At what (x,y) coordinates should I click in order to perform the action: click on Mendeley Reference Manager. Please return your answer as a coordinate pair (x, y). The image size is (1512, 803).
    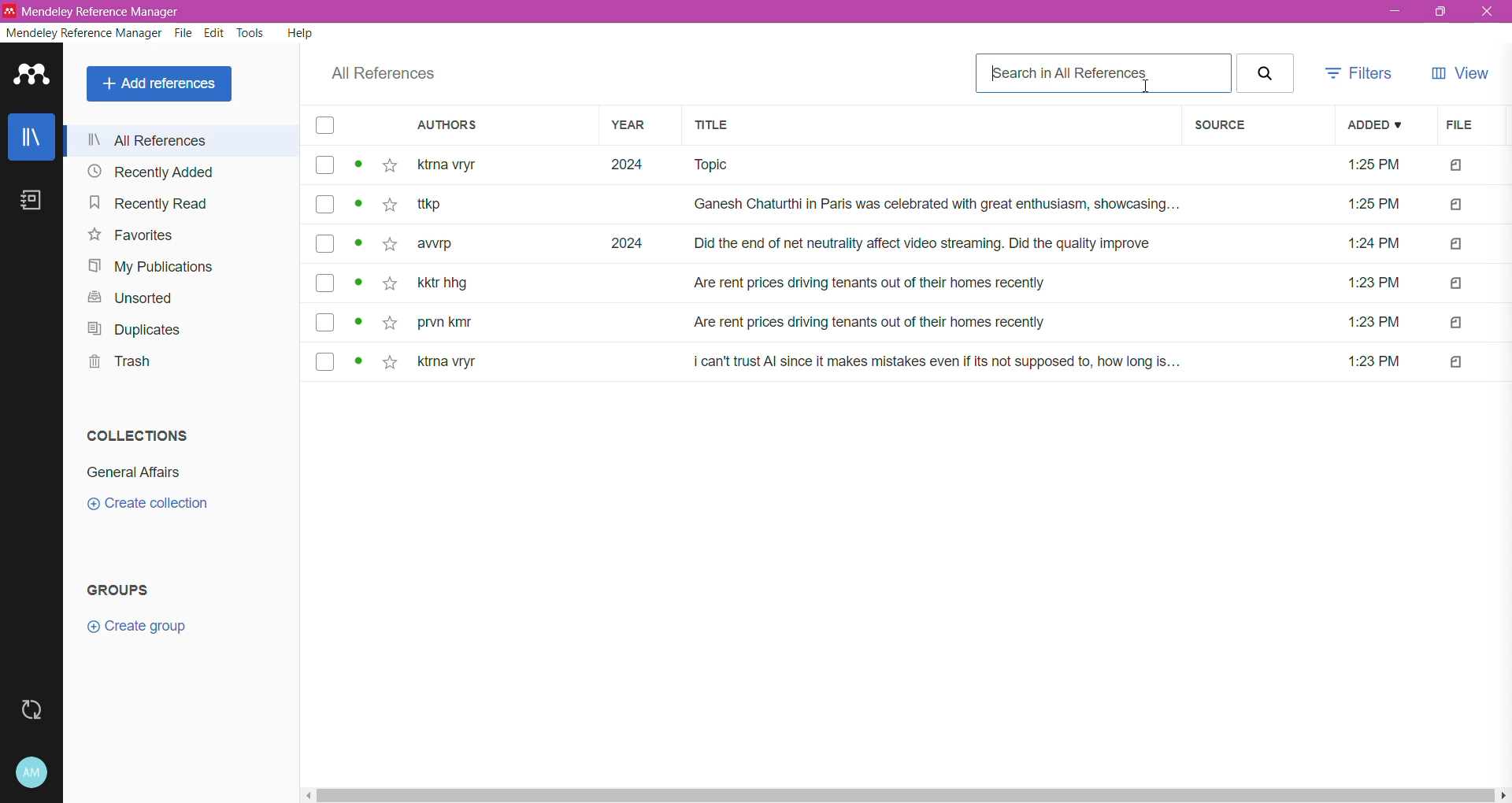
    Looking at the image, I should click on (83, 33).